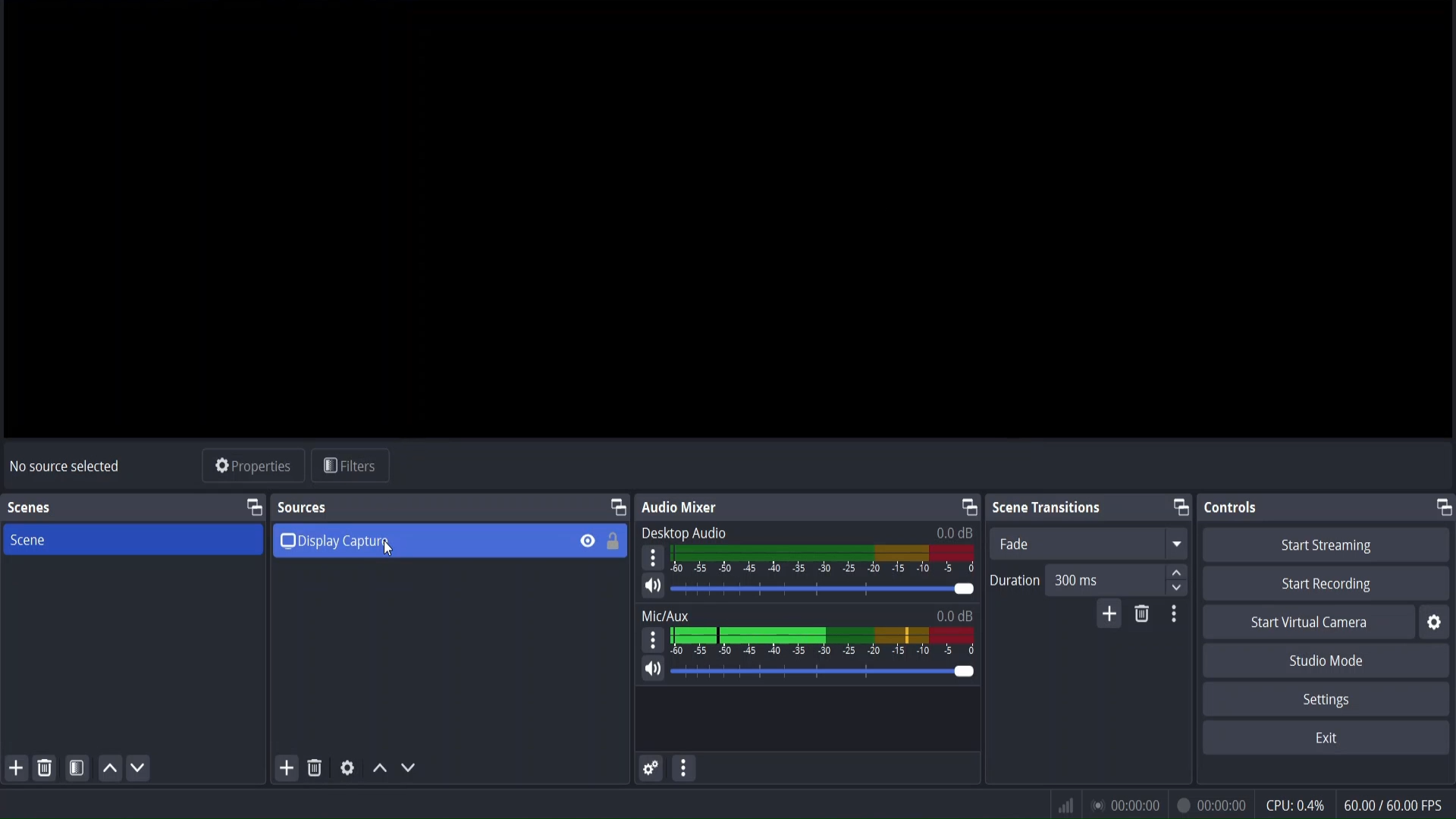 The height and width of the screenshot is (819, 1456). Describe the element at coordinates (613, 541) in the screenshot. I see `lock` at that location.